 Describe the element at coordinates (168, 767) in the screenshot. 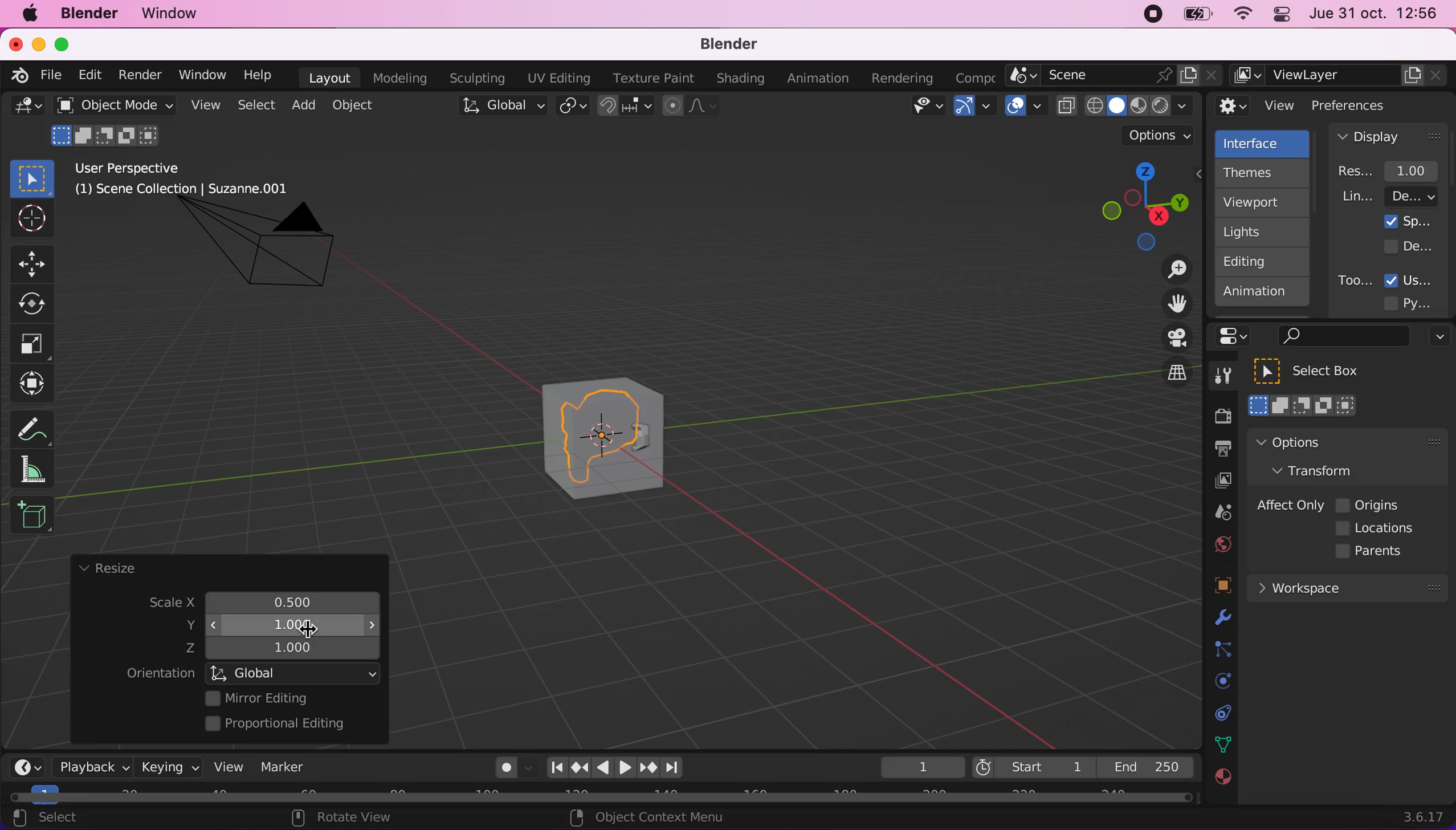

I see `keying` at that location.